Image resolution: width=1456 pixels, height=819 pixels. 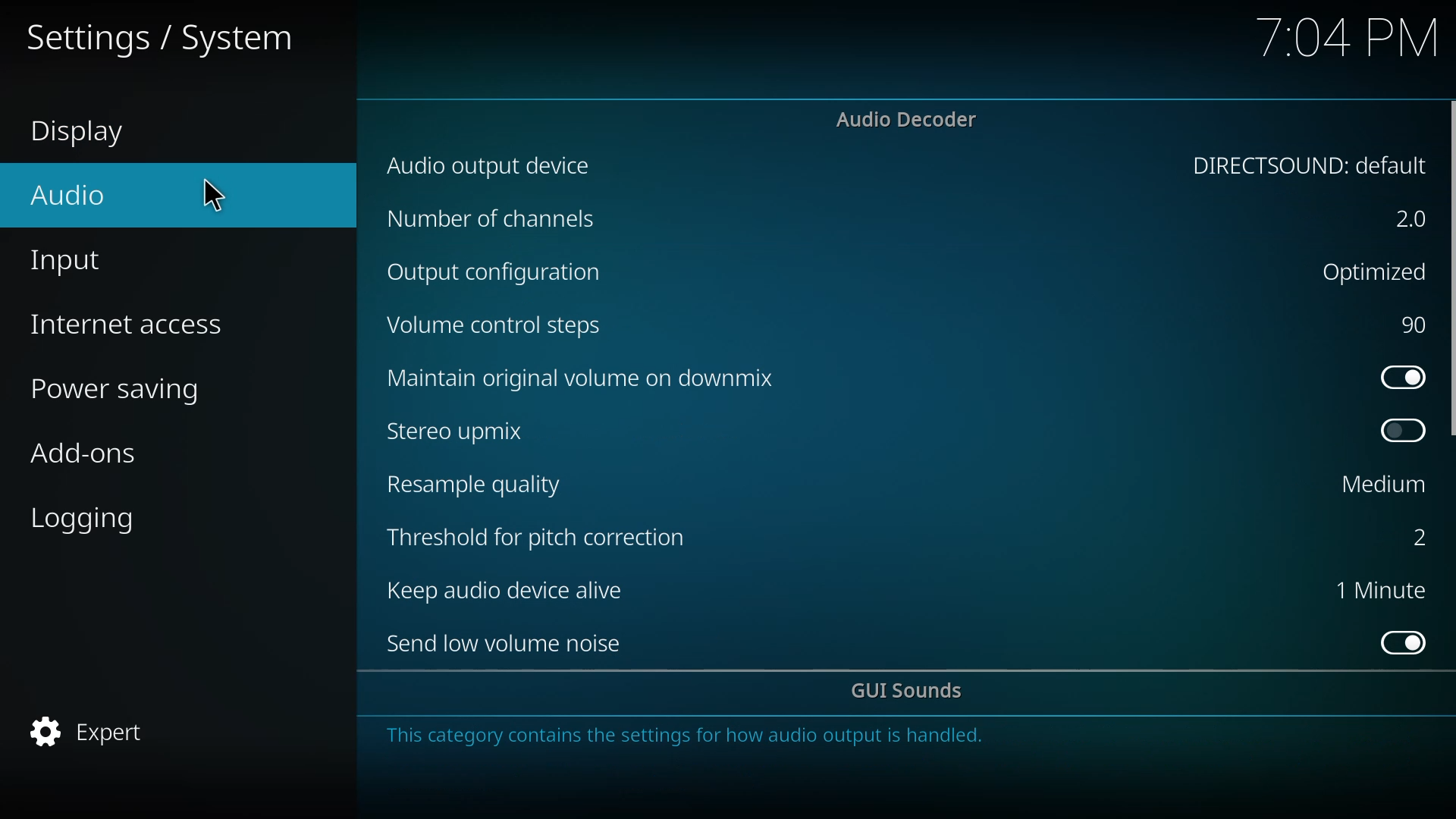 What do you see at coordinates (87, 133) in the screenshot?
I see `display` at bounding box center [87, 133].